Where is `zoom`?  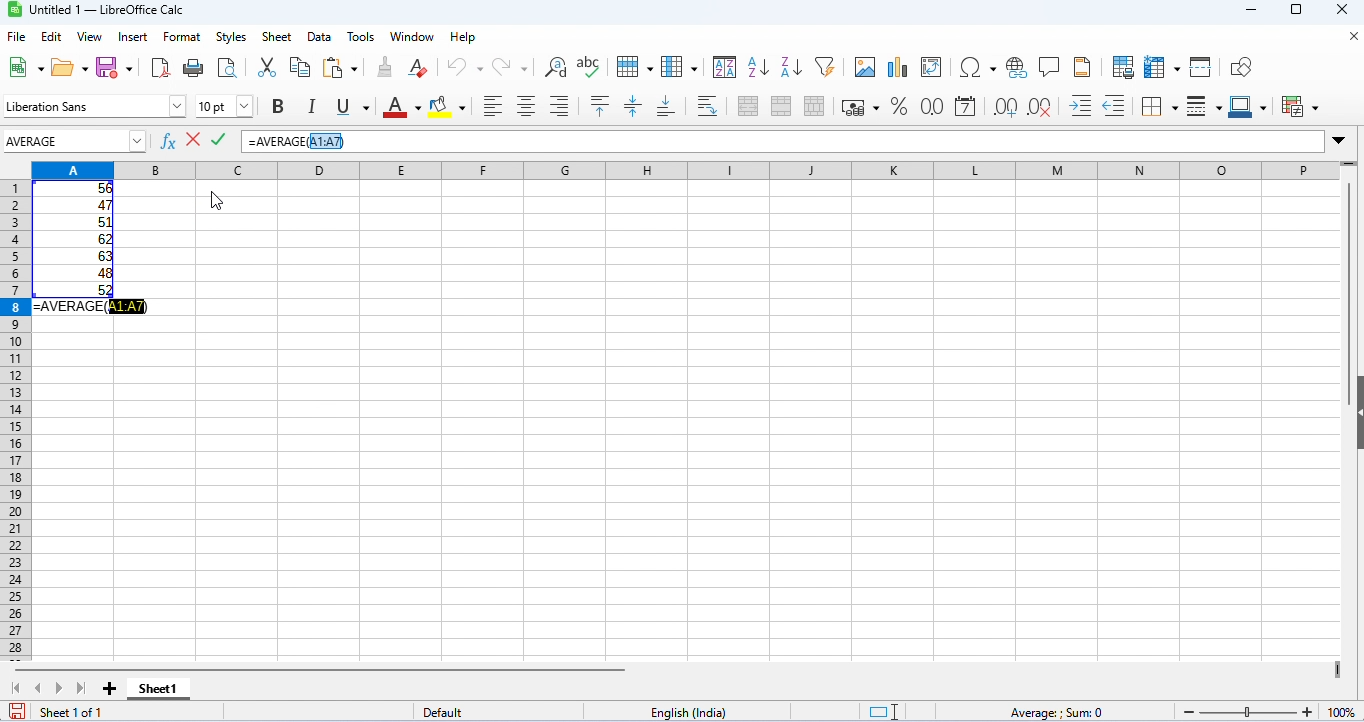
zoom is located at coordinates (1269, 709).